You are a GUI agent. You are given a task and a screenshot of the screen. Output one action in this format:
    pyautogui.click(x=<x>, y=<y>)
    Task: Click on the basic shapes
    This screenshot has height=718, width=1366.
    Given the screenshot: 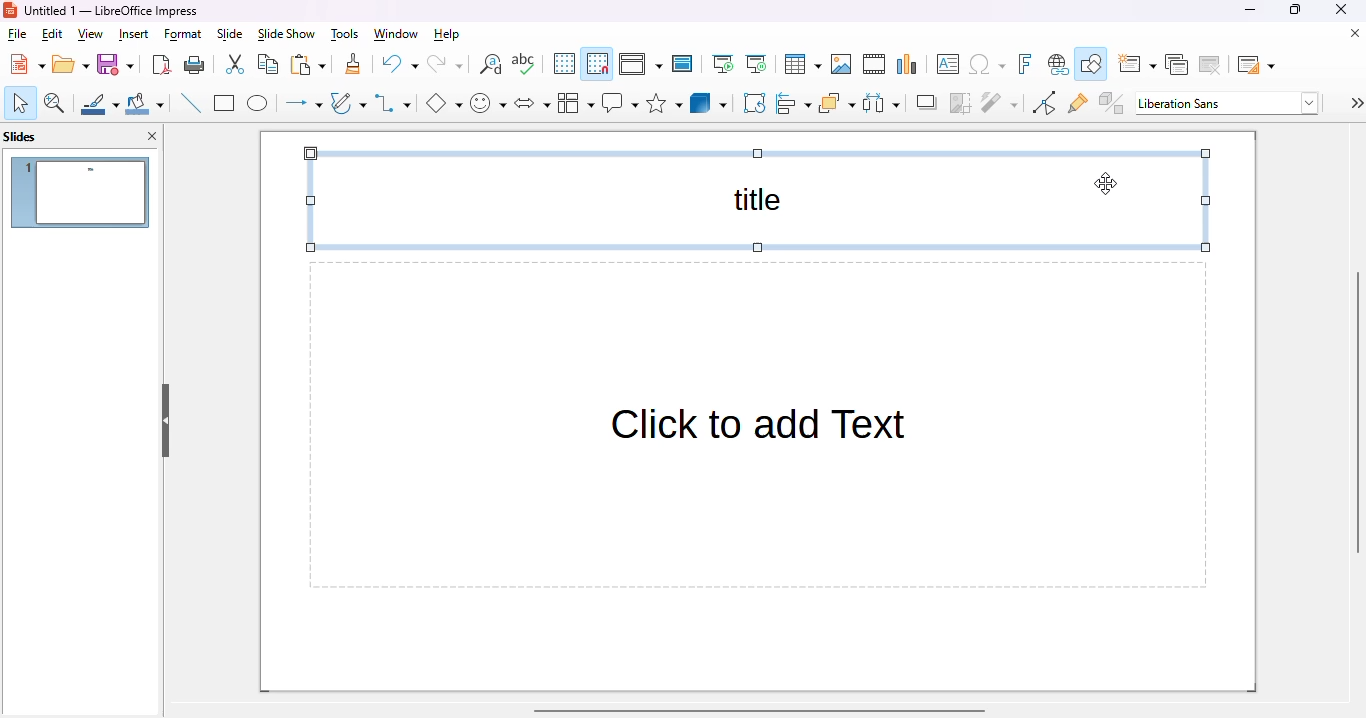 What is the action you would take?
    pyautogui.click(x=444, y=103)
    